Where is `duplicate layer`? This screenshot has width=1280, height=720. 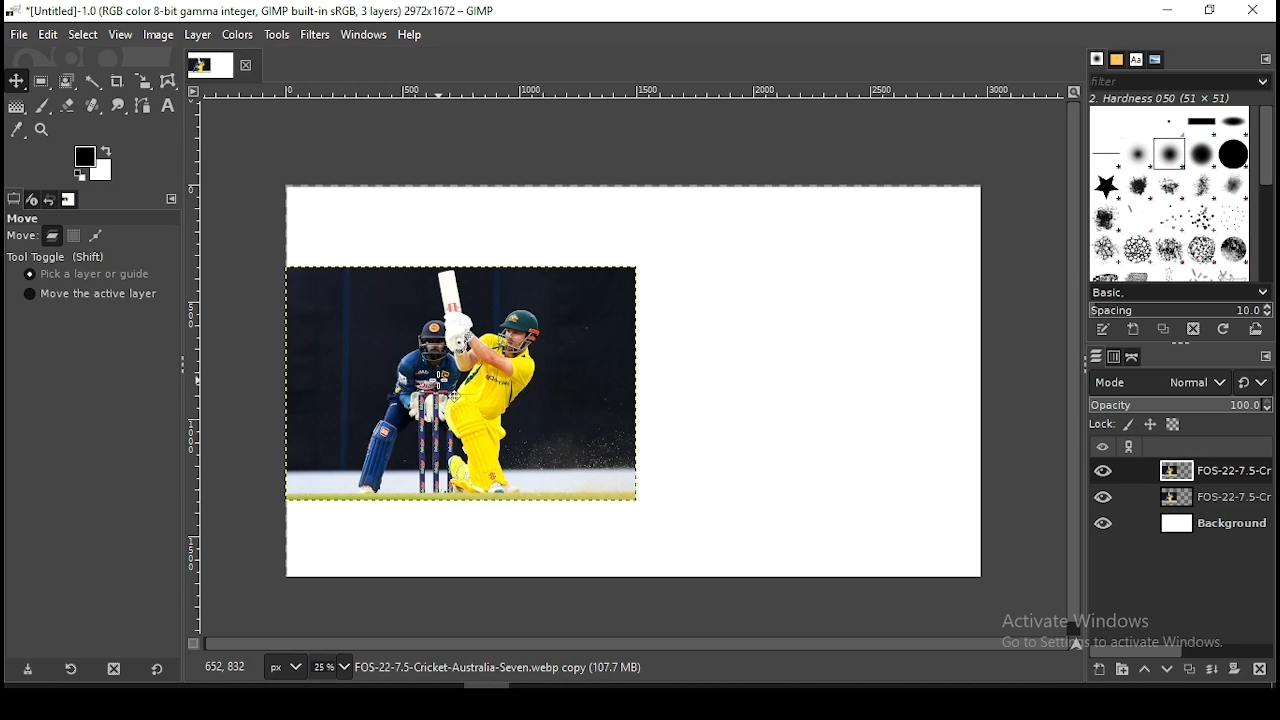
duplicate layer is located at coordinates (1186, 672).